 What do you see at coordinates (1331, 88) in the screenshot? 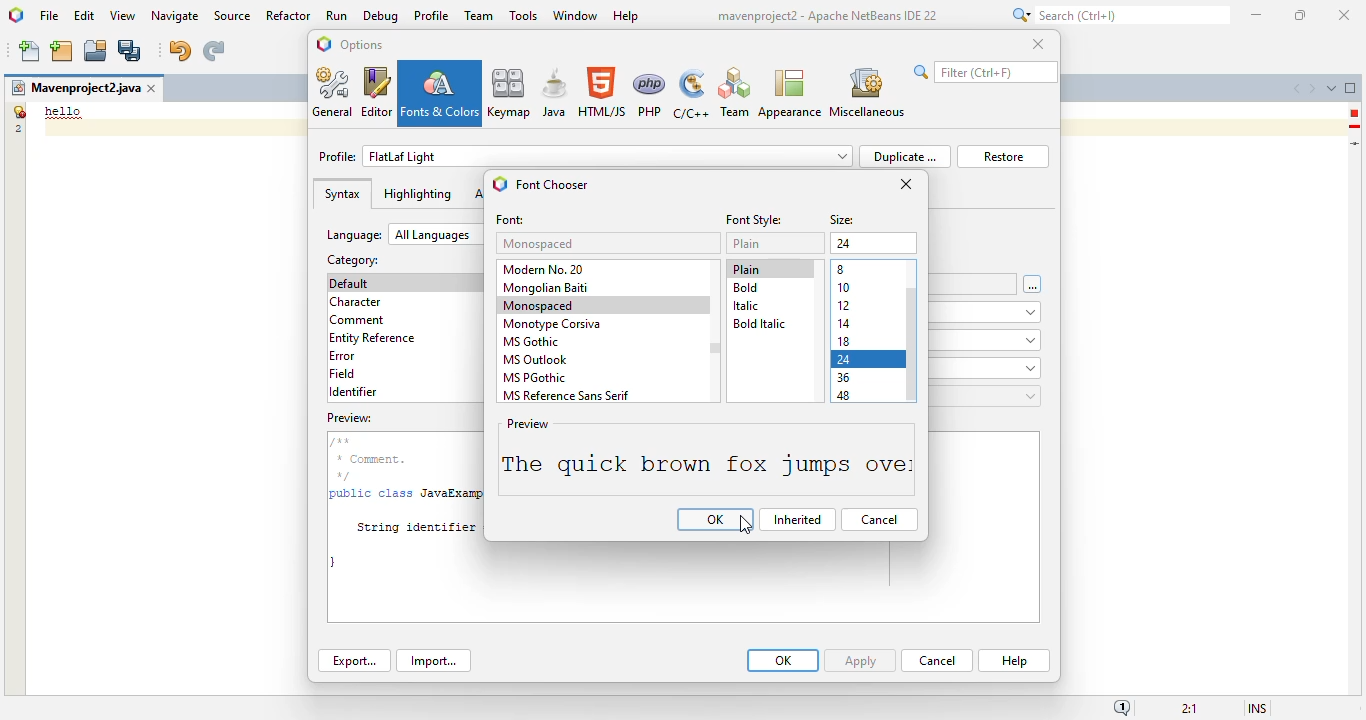
I see `show opened documents list` at bounding box center [1331, 88].